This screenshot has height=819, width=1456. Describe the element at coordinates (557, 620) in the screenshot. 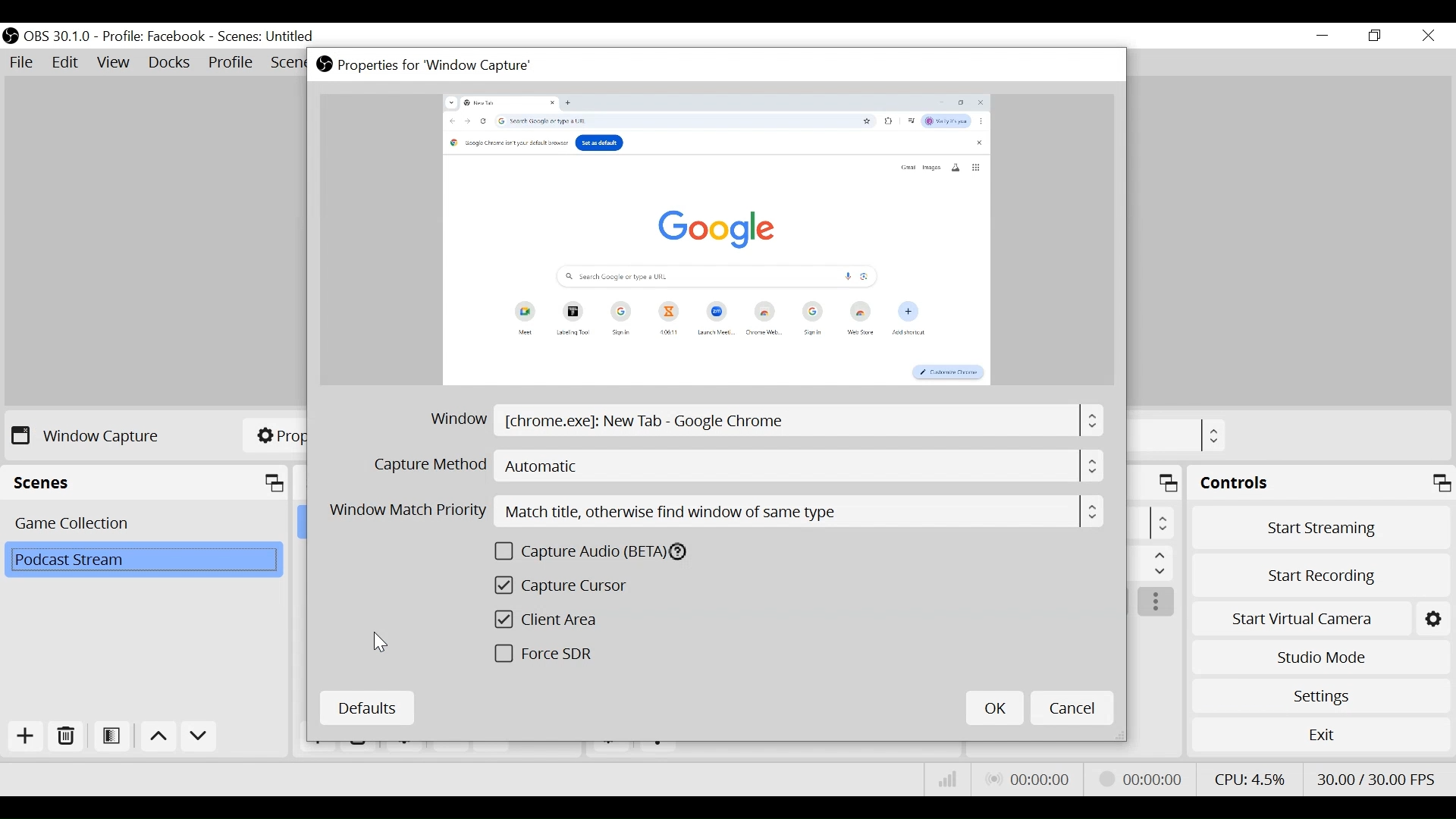

I see `(un)check Area` at that location.